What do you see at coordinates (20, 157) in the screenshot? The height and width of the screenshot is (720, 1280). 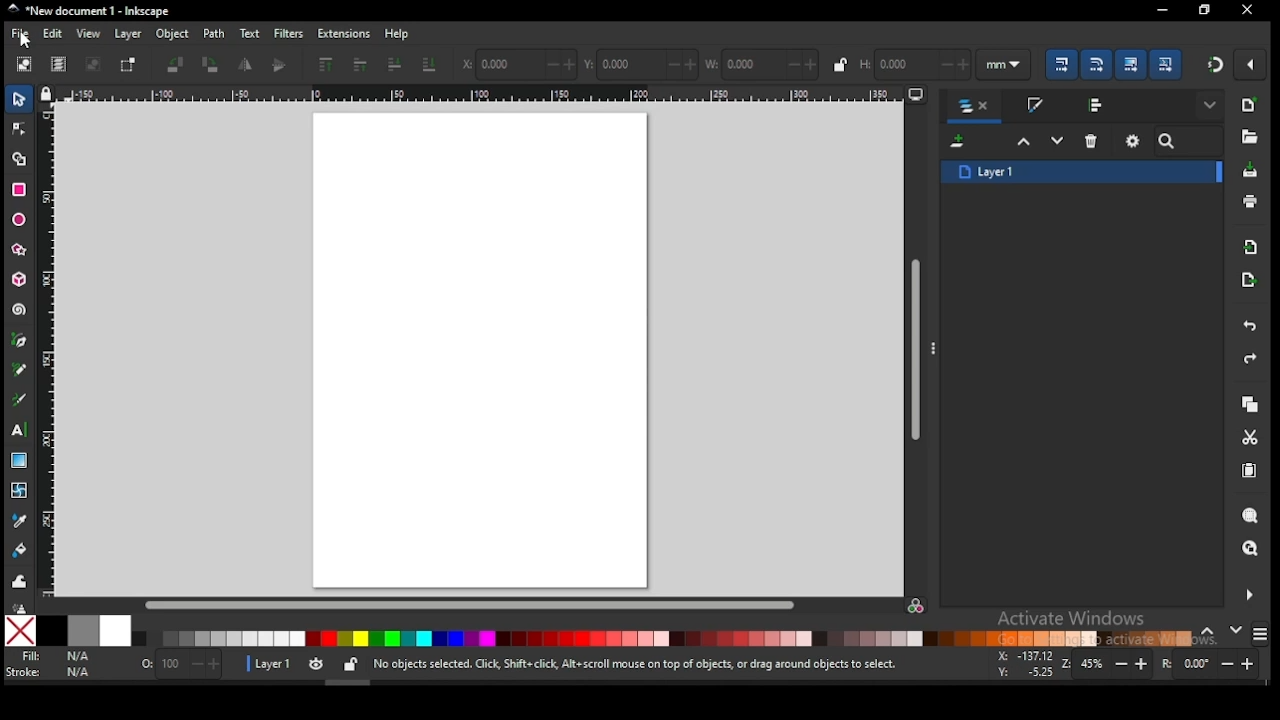 I see `shape builder tool` at bounding box center [20, 157].